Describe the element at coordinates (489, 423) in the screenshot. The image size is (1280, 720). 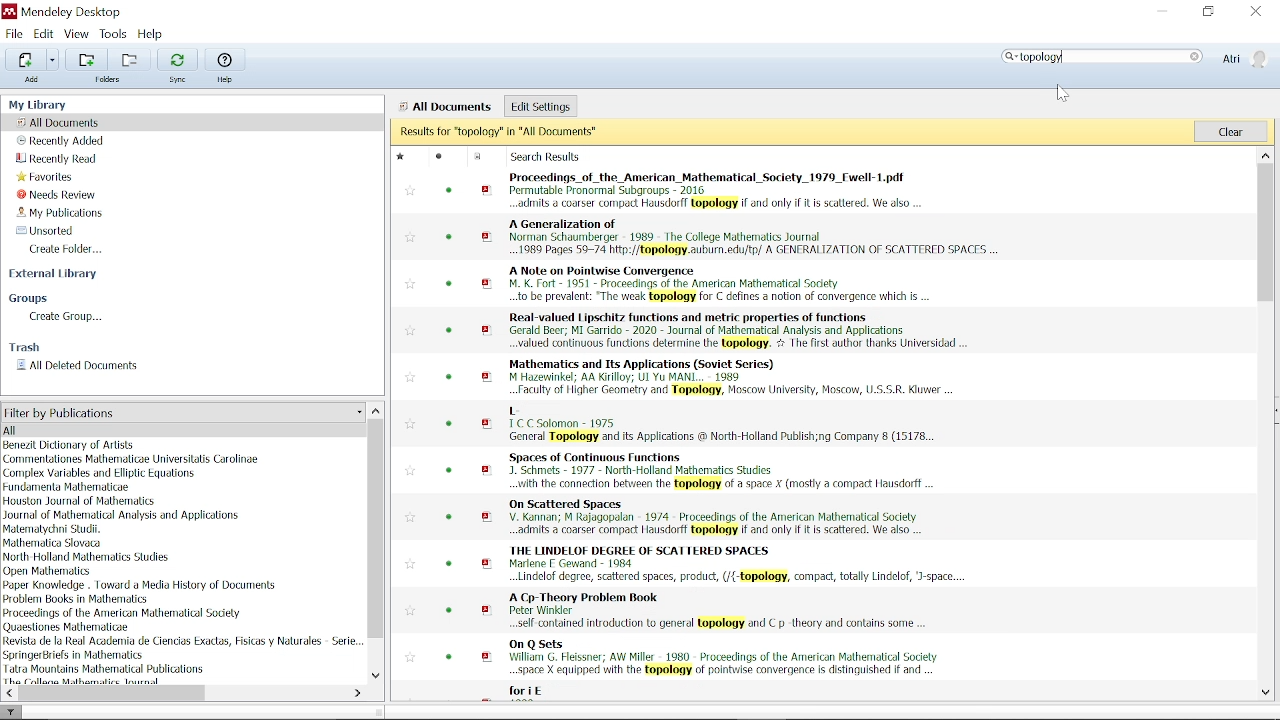
I see `pdf` at that location.